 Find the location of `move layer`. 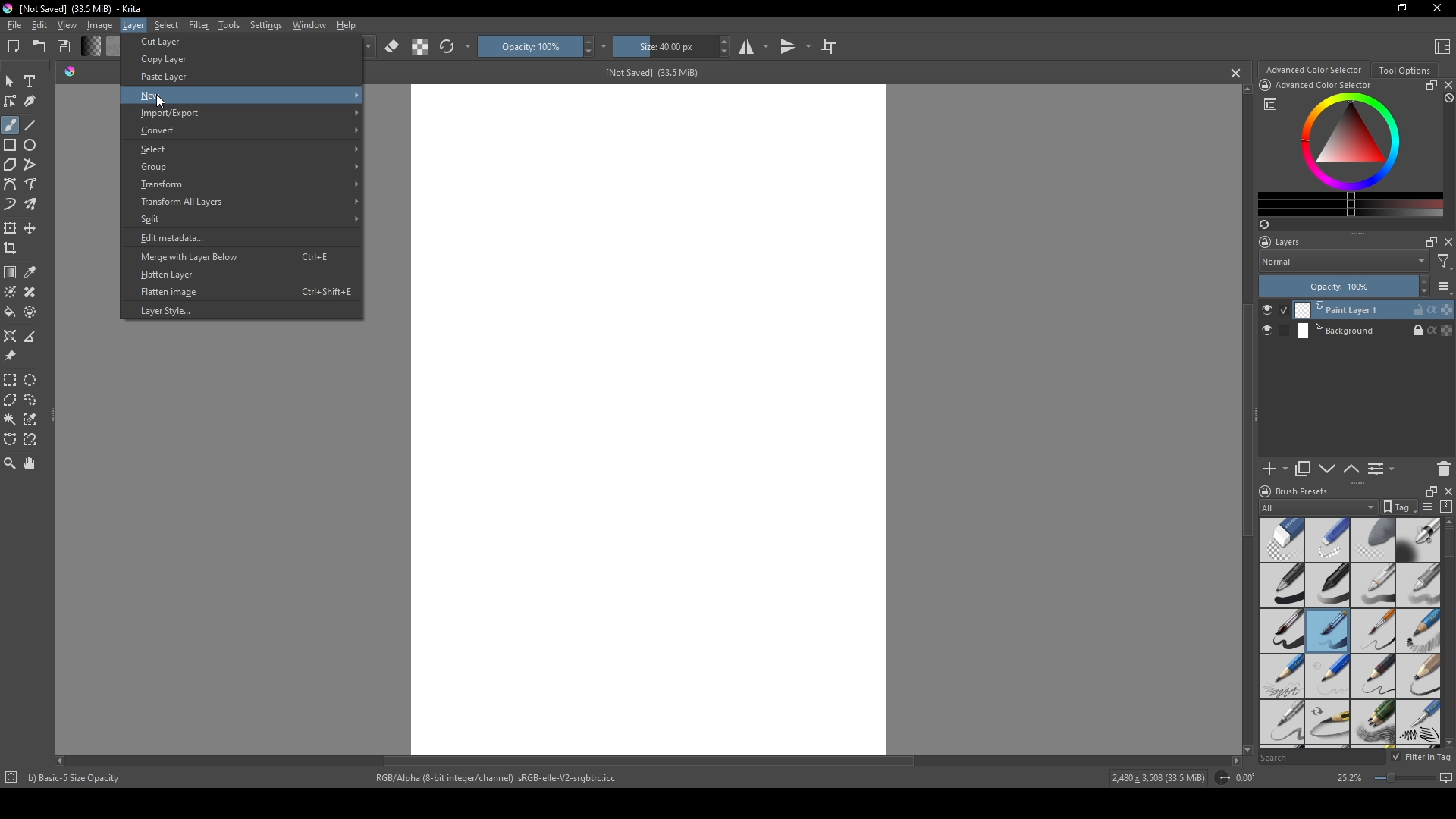

move layer is located at coordinates (30, 228).